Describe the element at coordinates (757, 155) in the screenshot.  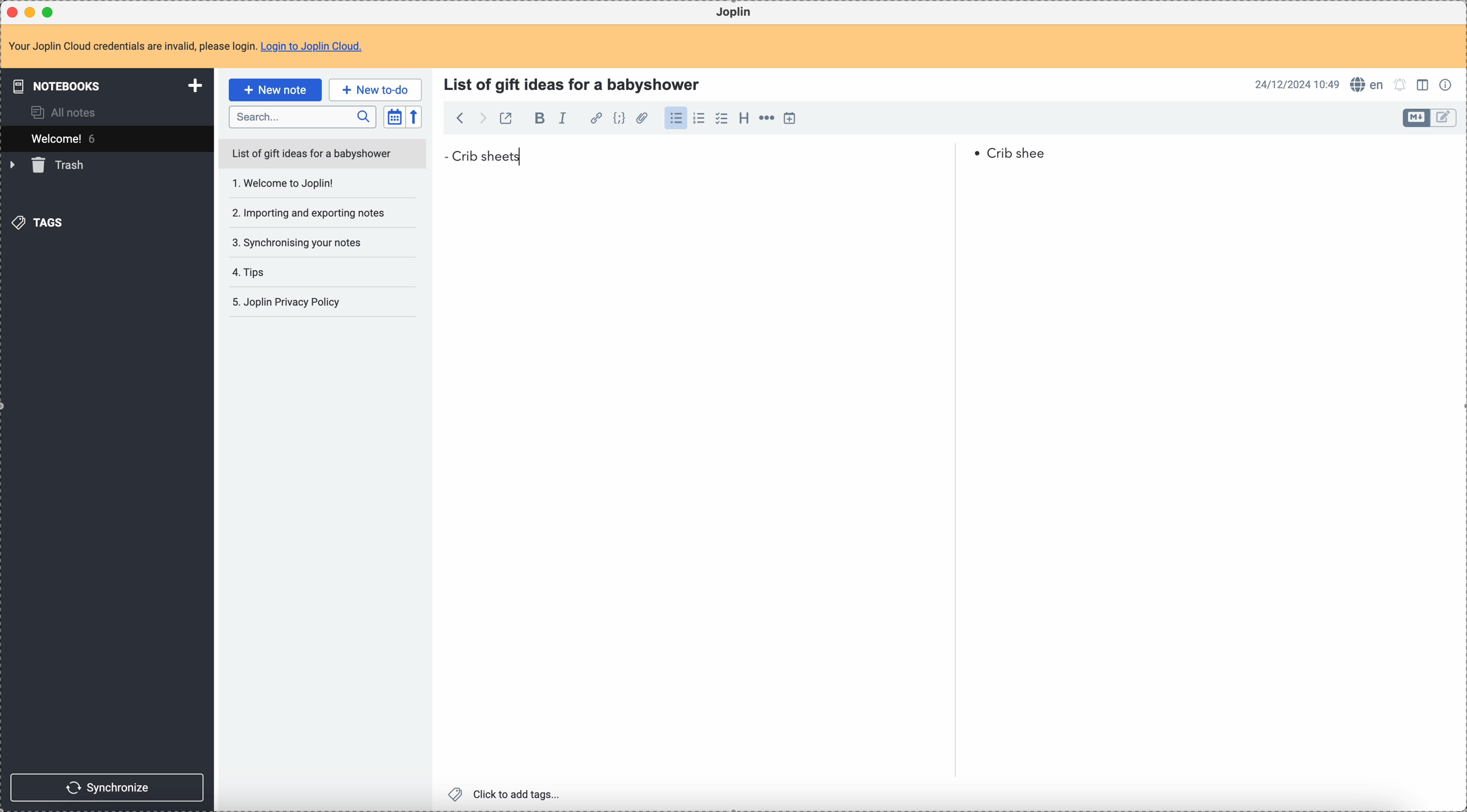
I see `Crib sheets` at that location.